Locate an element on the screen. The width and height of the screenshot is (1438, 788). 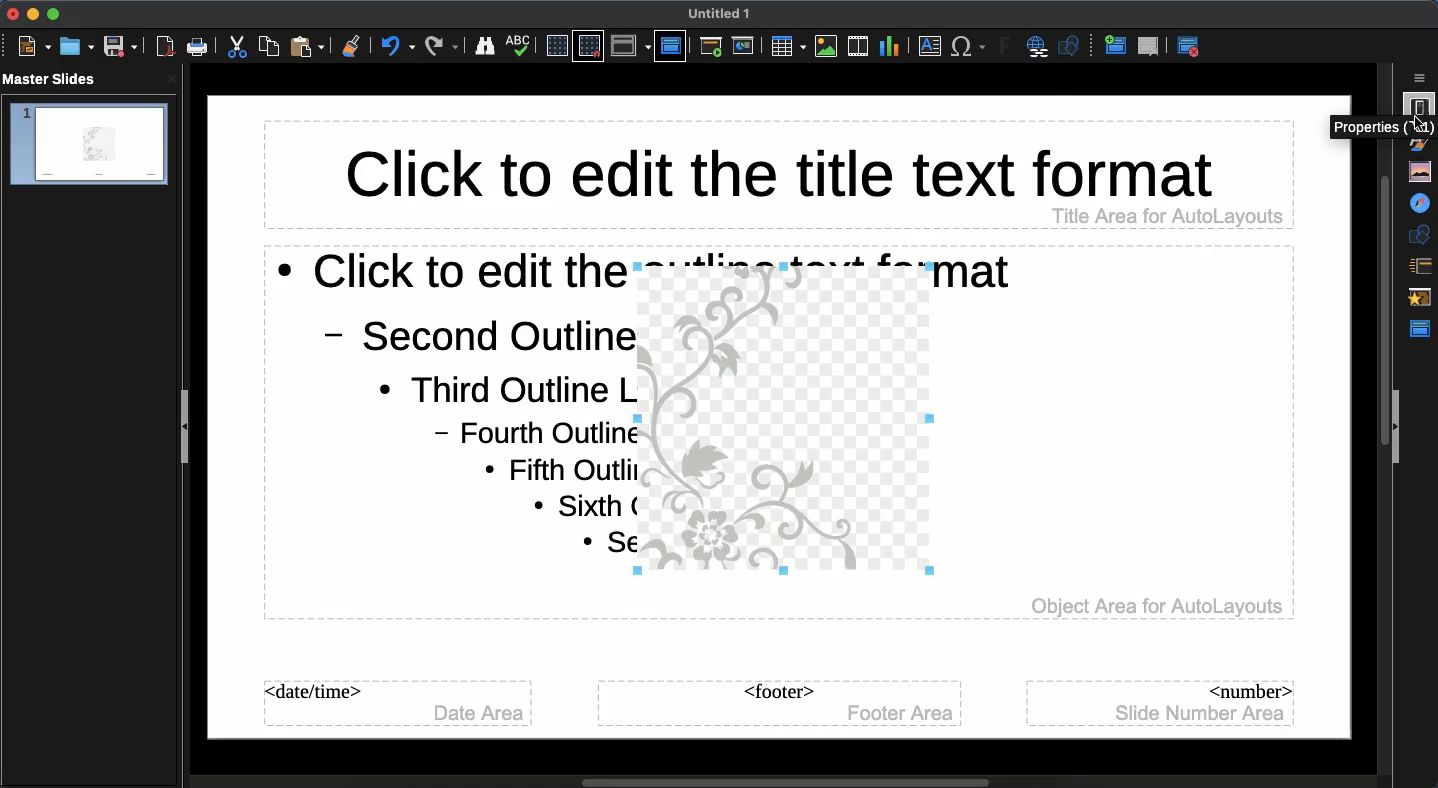
Finder is located at coordinates (485, 47).